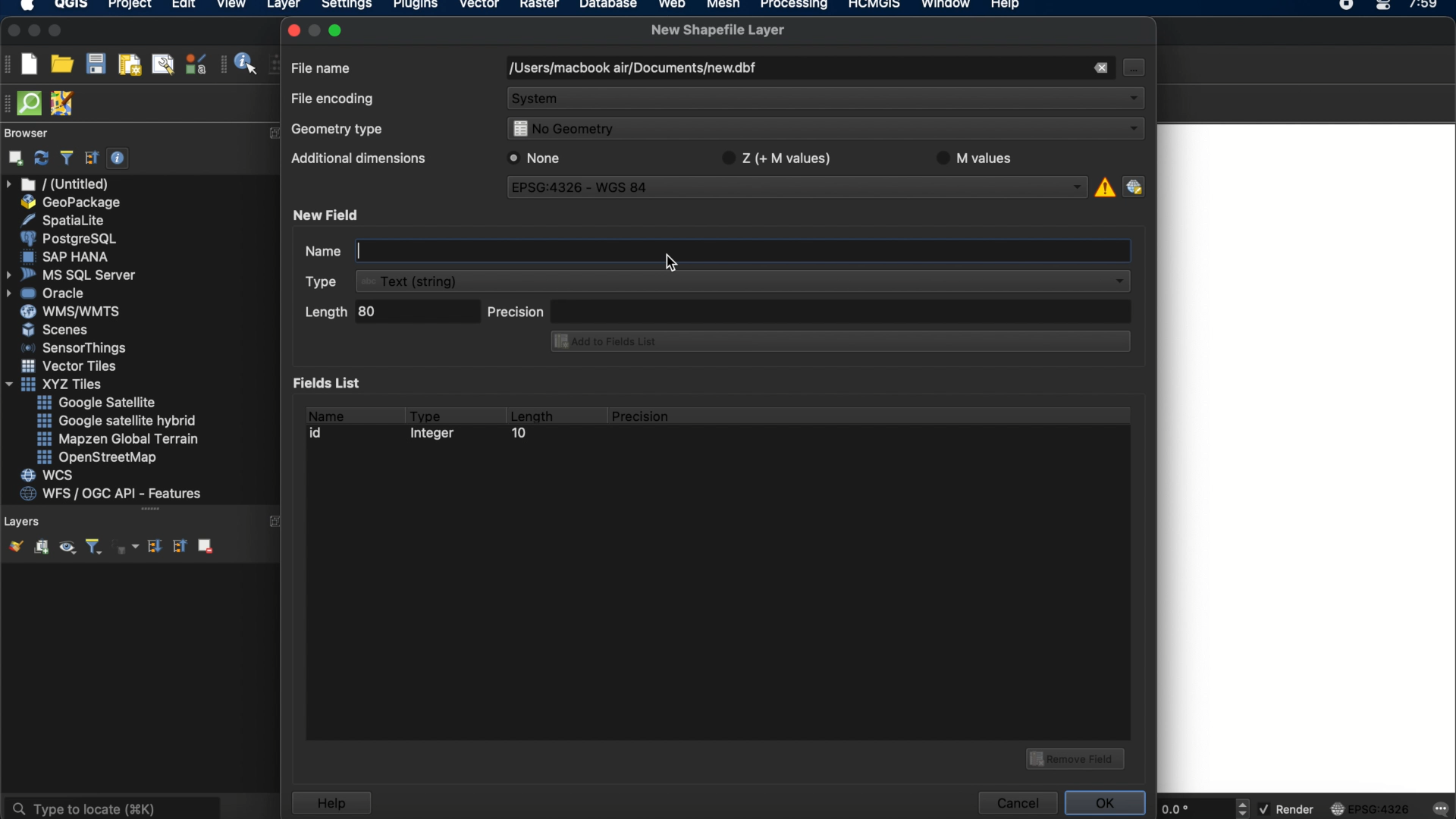 The height and width of the screenshot is (819, 1456). What do you see at coordinates (66, 549) in the screenshot?
I see `manage map themes` at bounding box center [66, 549].